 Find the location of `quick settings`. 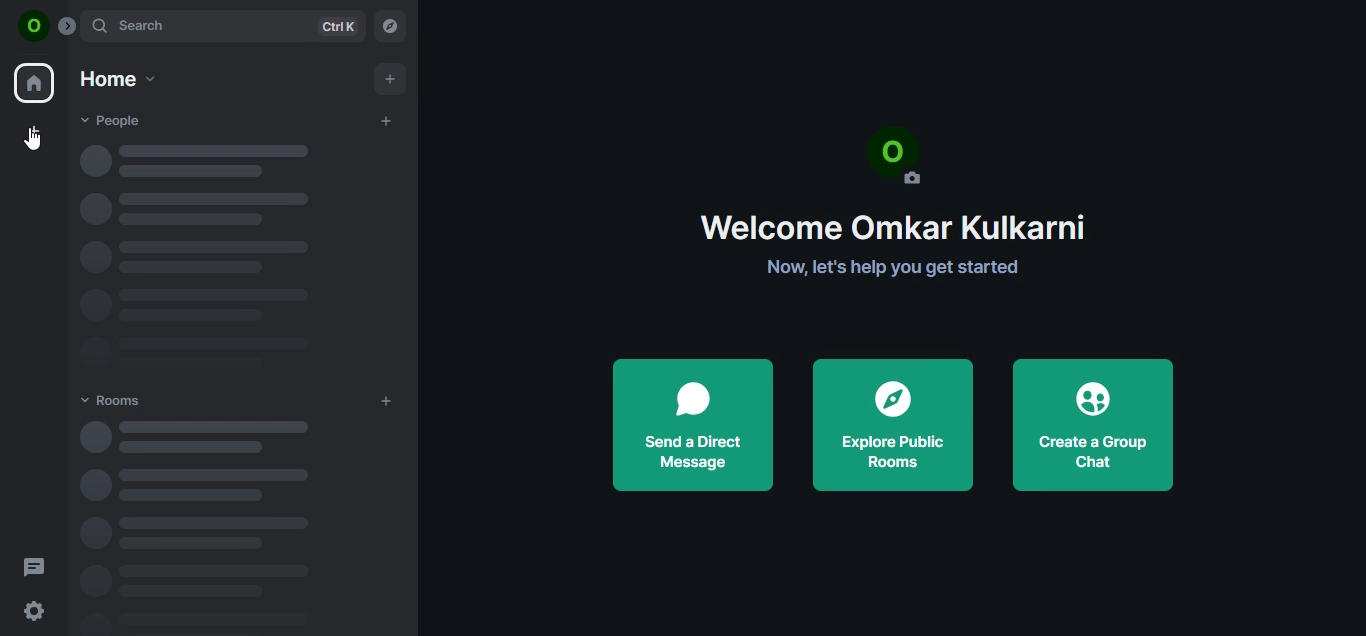

quick settings is located at coordinates (34, 611).